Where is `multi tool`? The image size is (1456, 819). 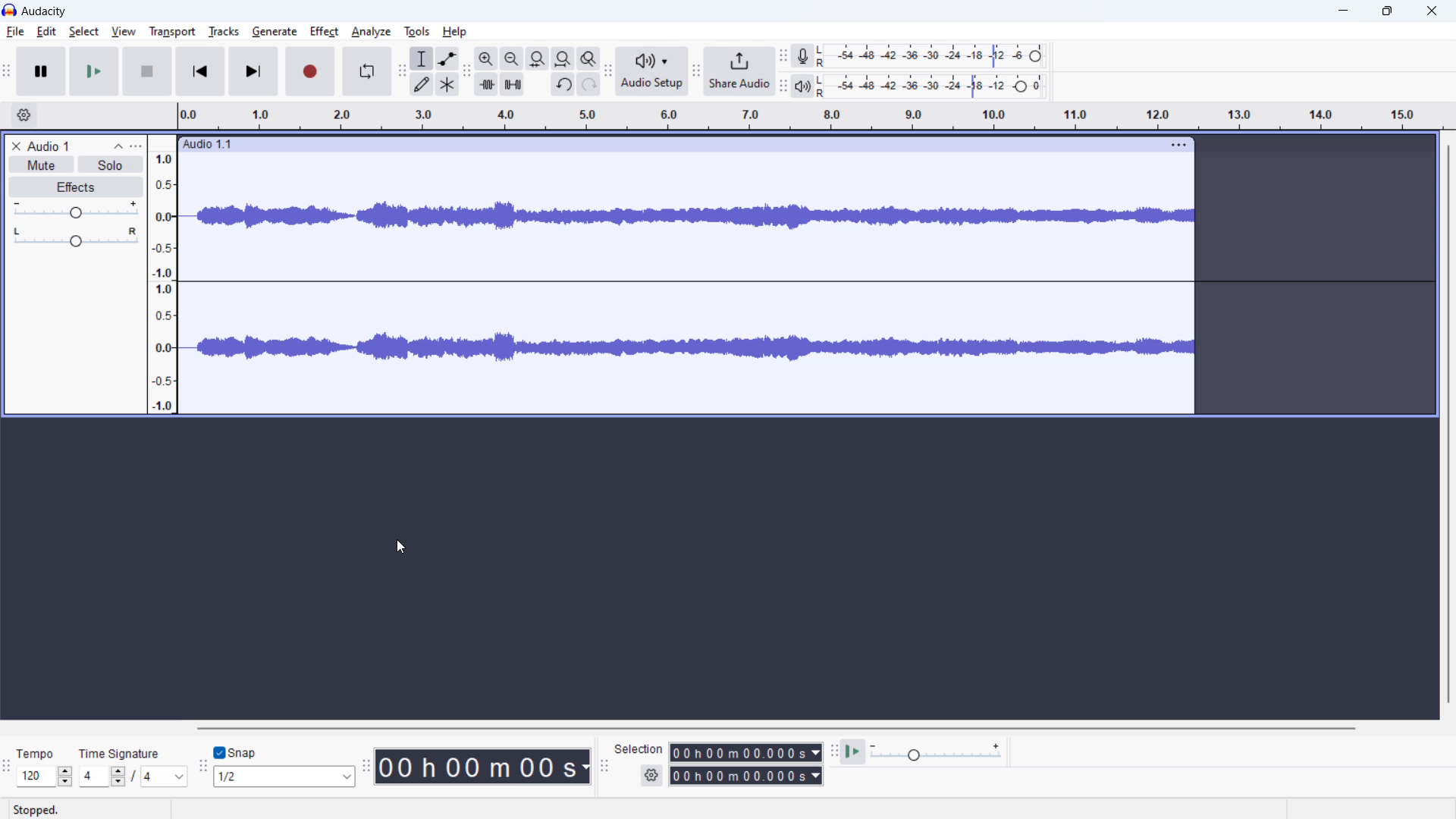
multi tool is located at coordinates (447, 83).